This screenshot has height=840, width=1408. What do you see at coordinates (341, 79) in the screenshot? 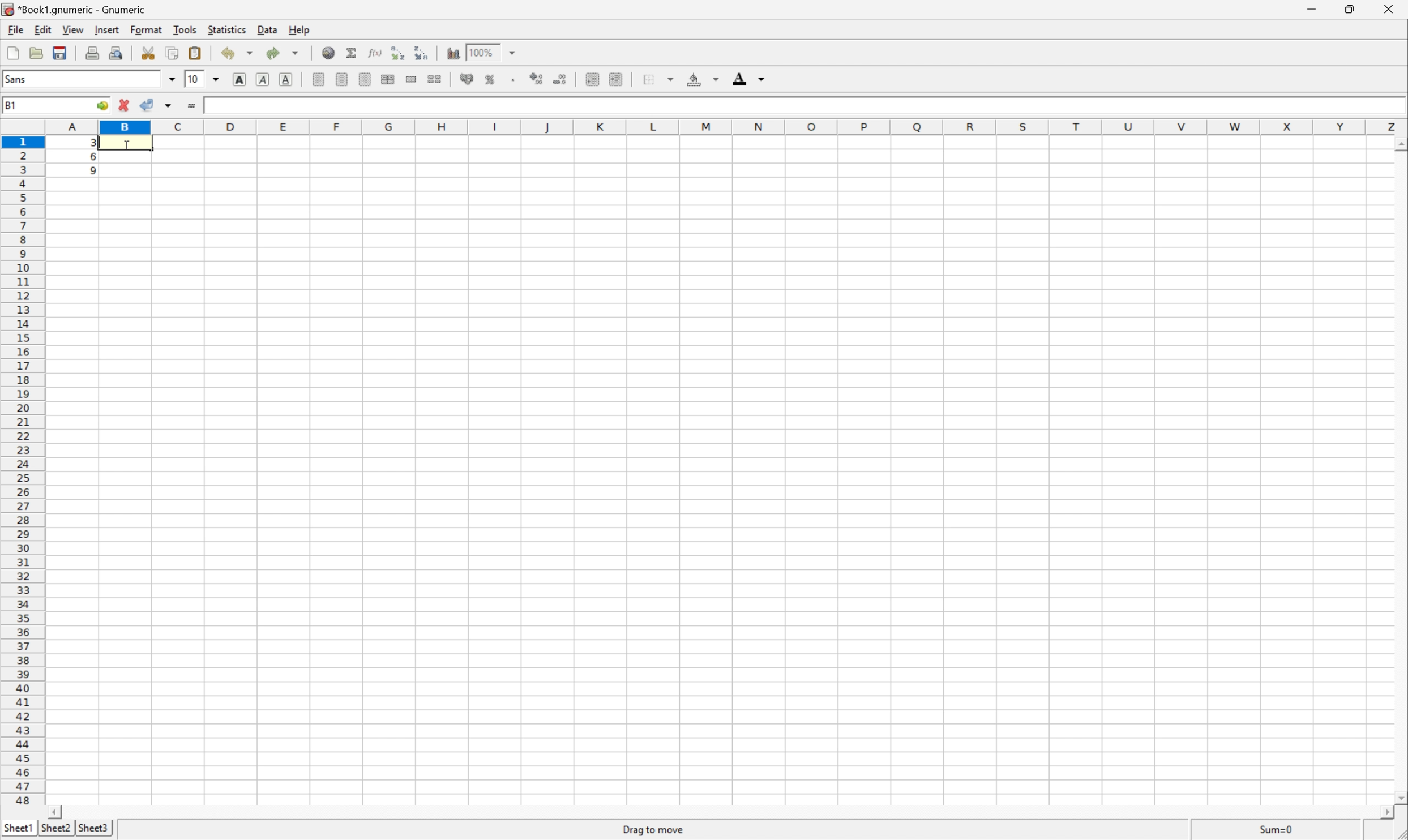
I see `Center horizontally` at bounding box center [341, 79].